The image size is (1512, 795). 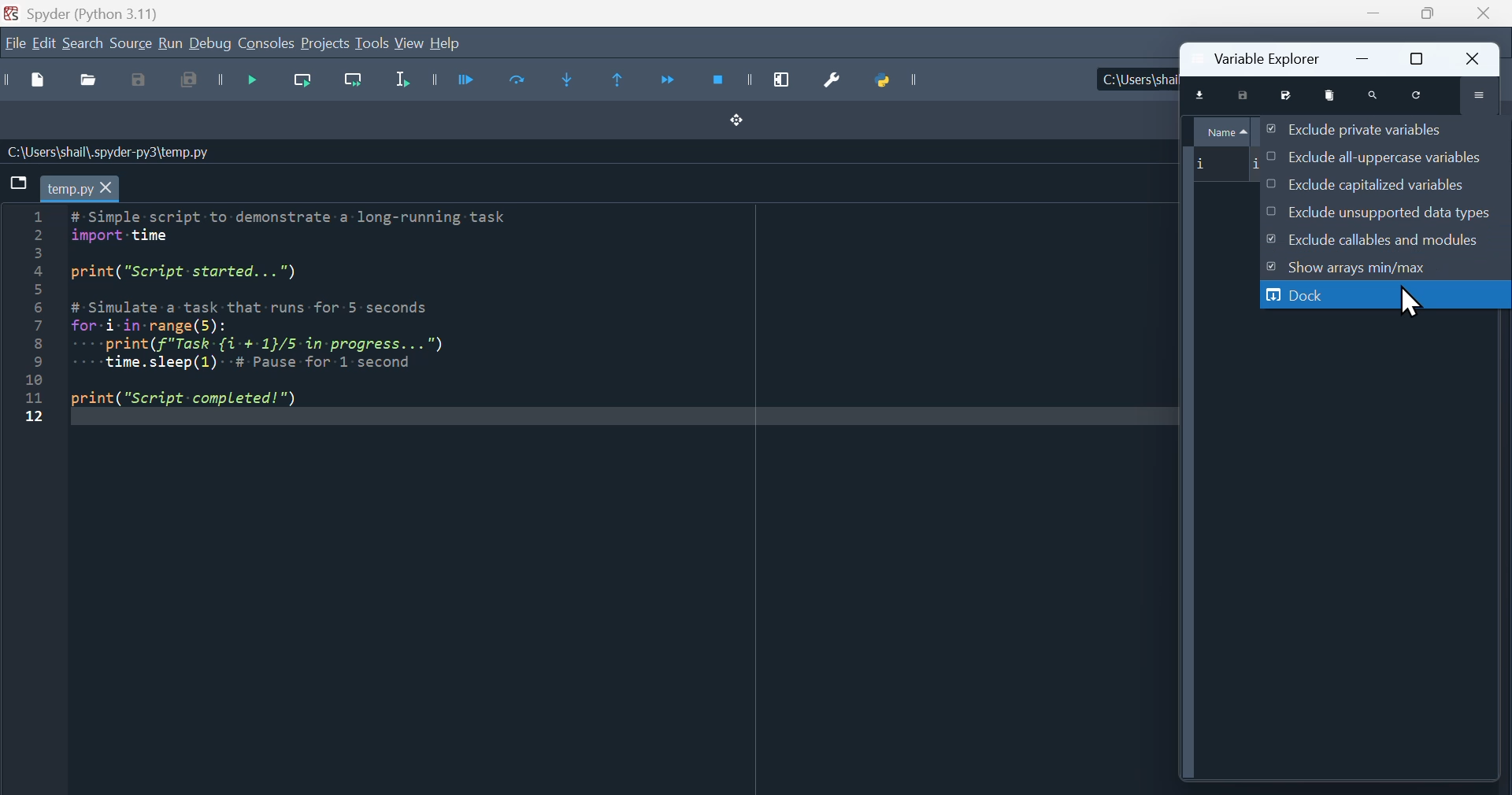 What do you see at coordinates (117, 12) in the screenshot?
I see `Spyder` at bounding box center [117, 12].